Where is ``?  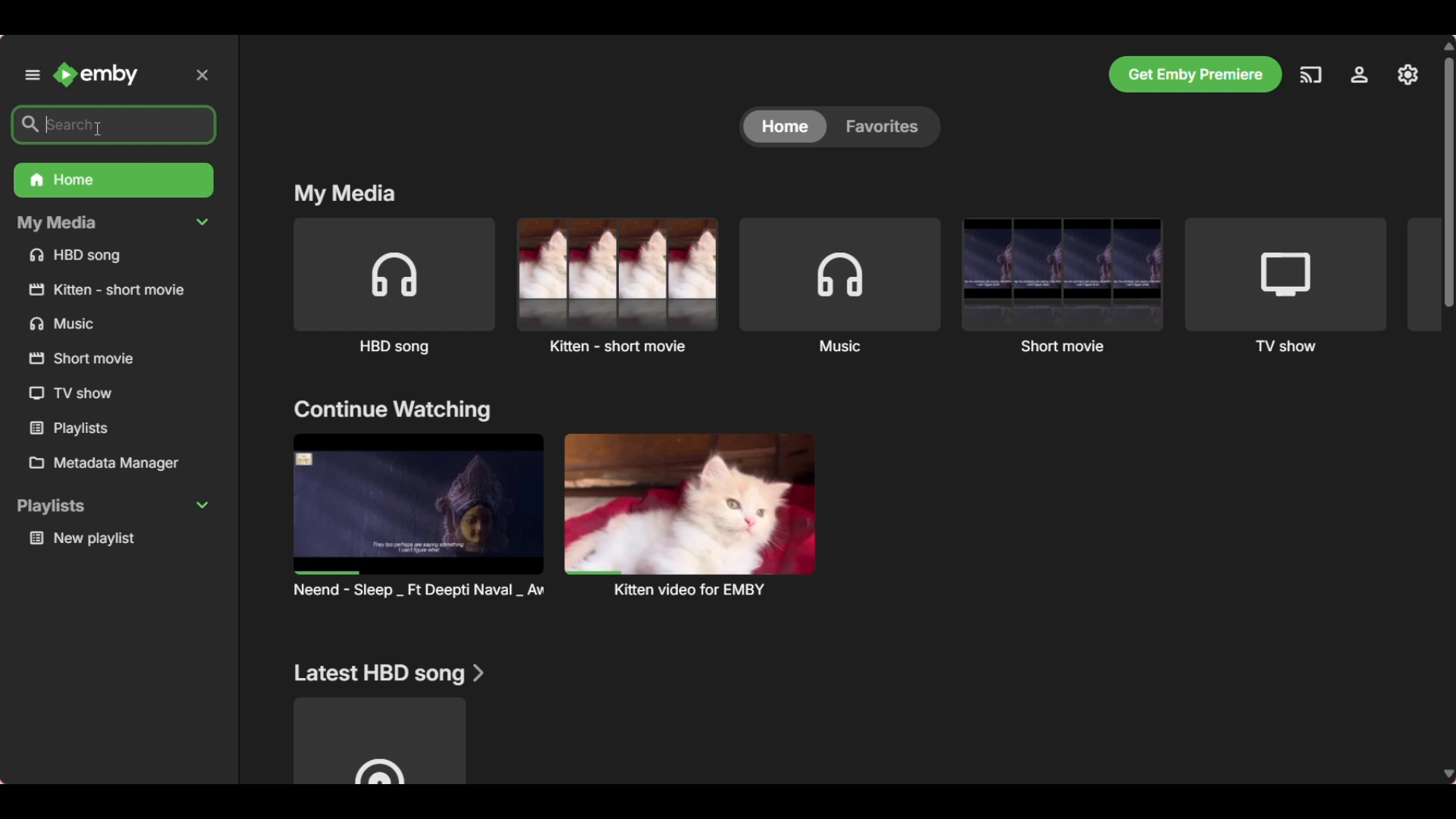  is located at coordinates (1442, 178).